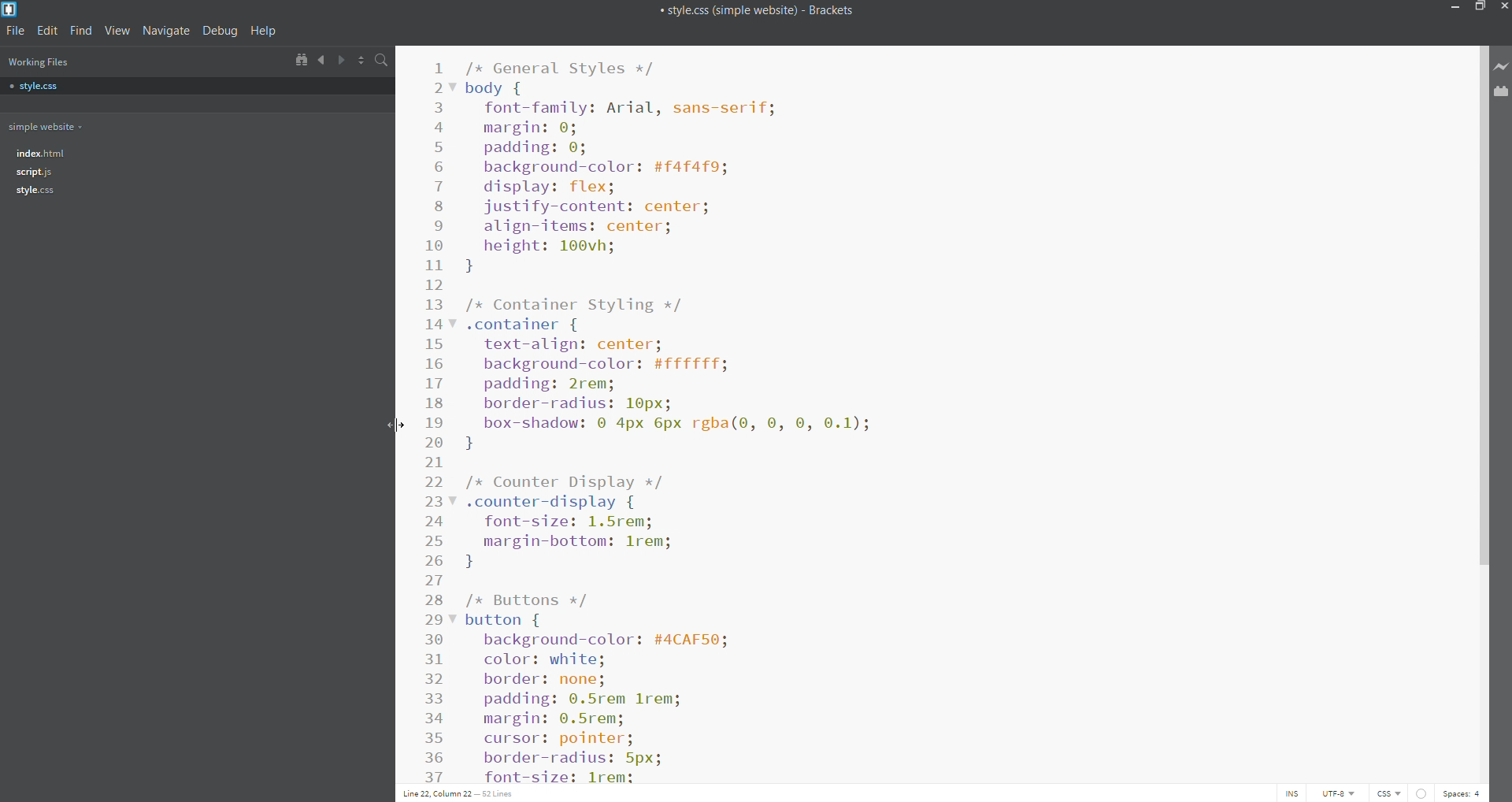  Describe the element at coordinates (1503, 94) in the screenshot. I see `extension management` at that location.